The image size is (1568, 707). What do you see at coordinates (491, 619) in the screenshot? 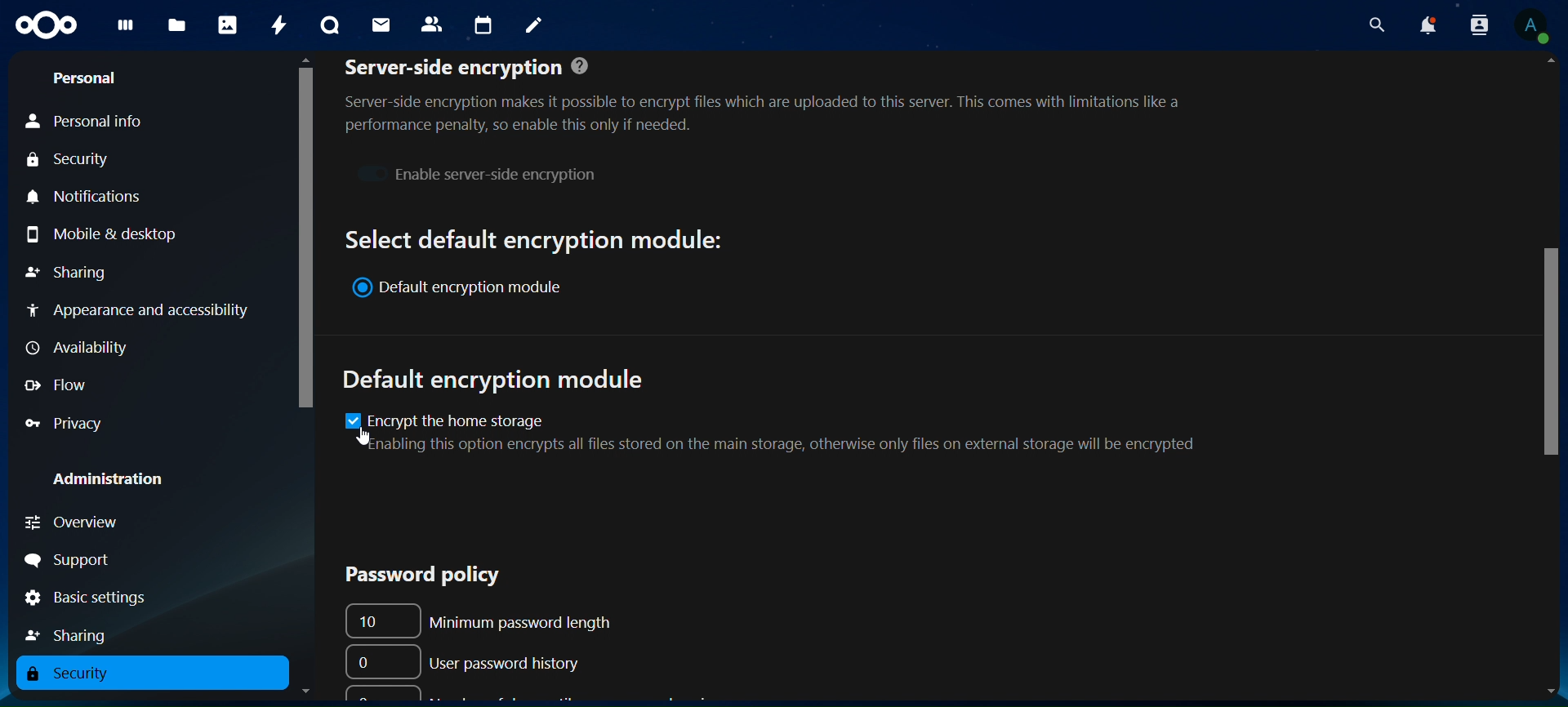
I see `minimum password length` at bounding box center [491, 619].